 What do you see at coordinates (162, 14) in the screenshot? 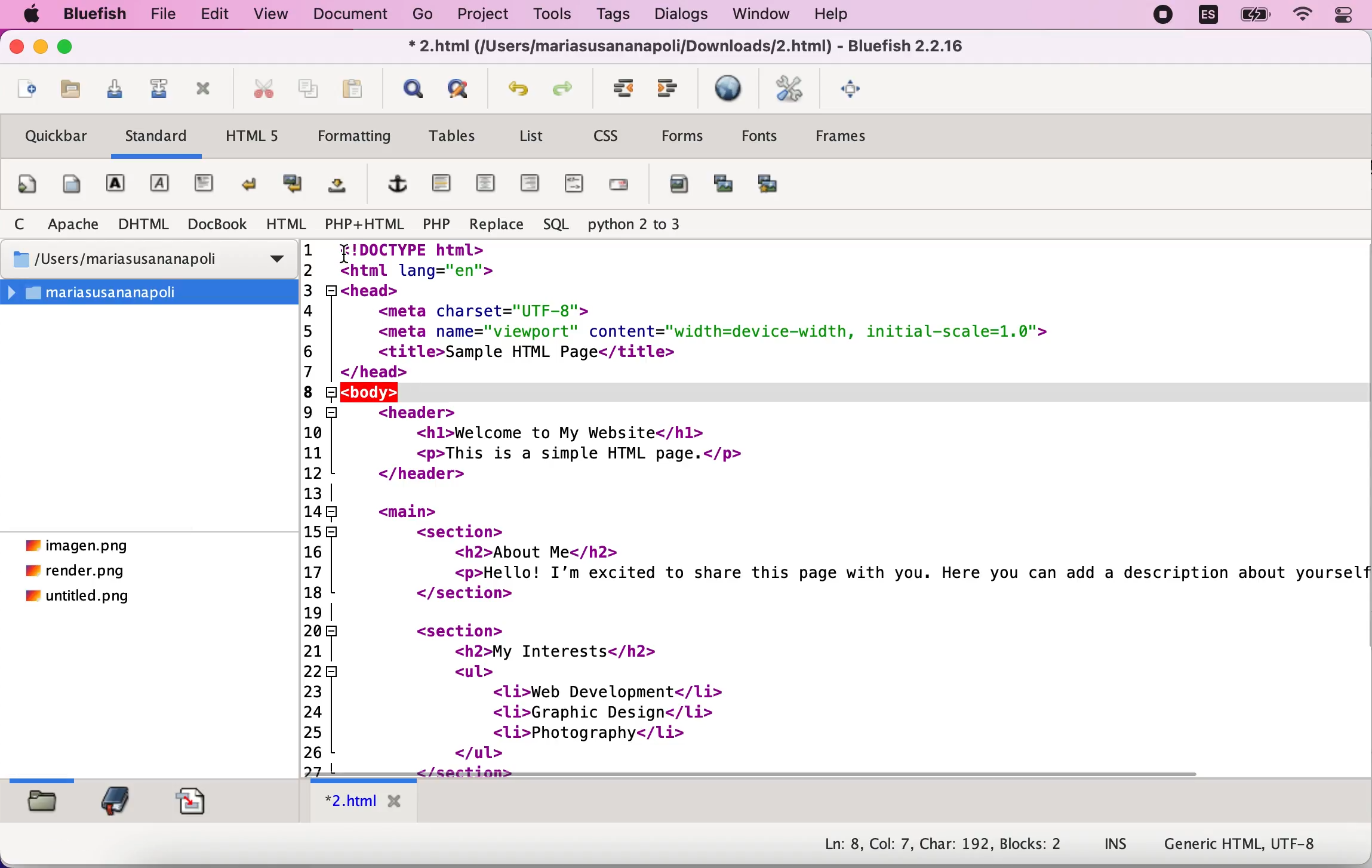
I see `file` at bounding box center [162, 14].